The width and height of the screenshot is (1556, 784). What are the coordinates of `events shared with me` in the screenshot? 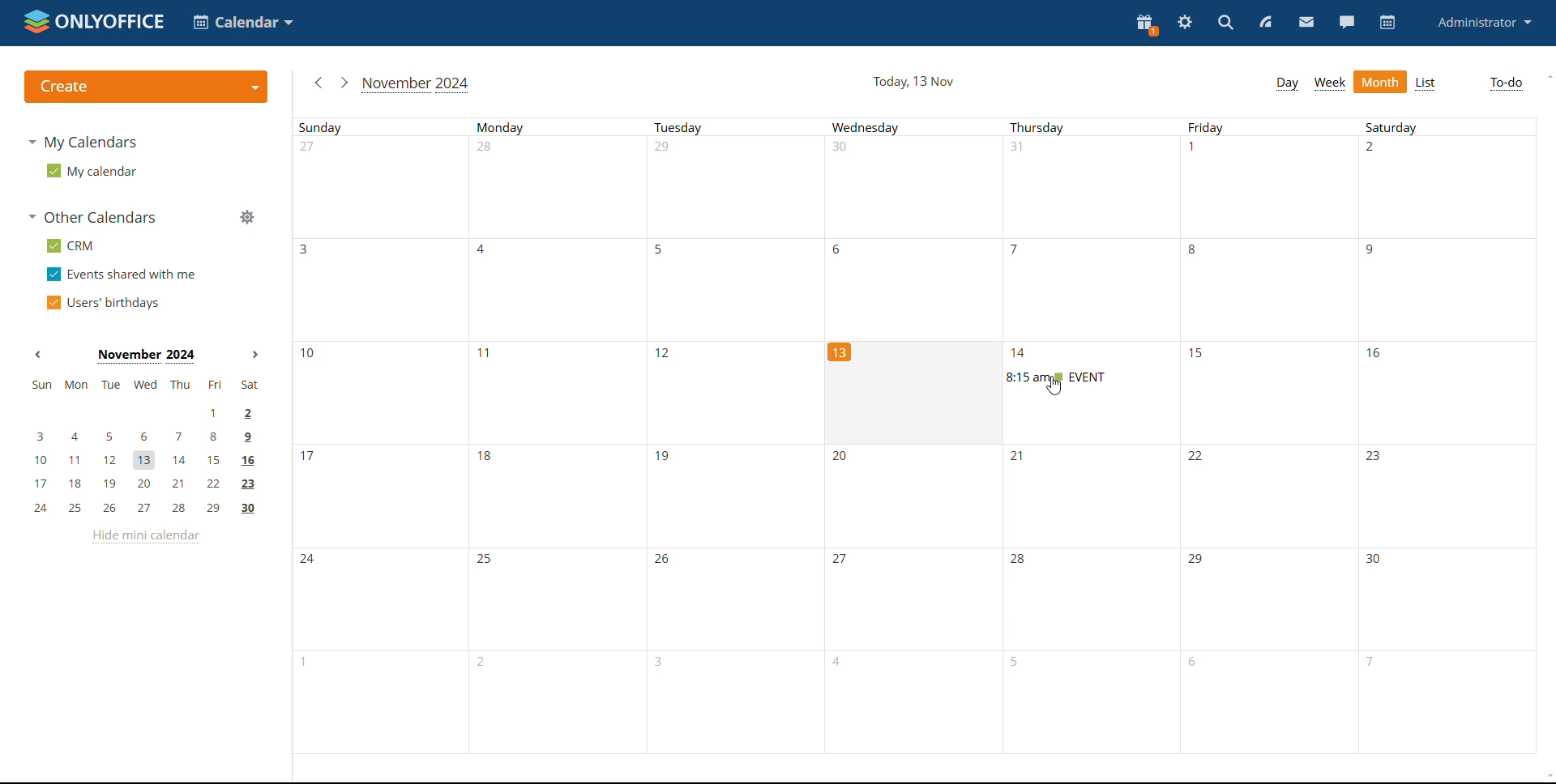 It's located at (120, 275).